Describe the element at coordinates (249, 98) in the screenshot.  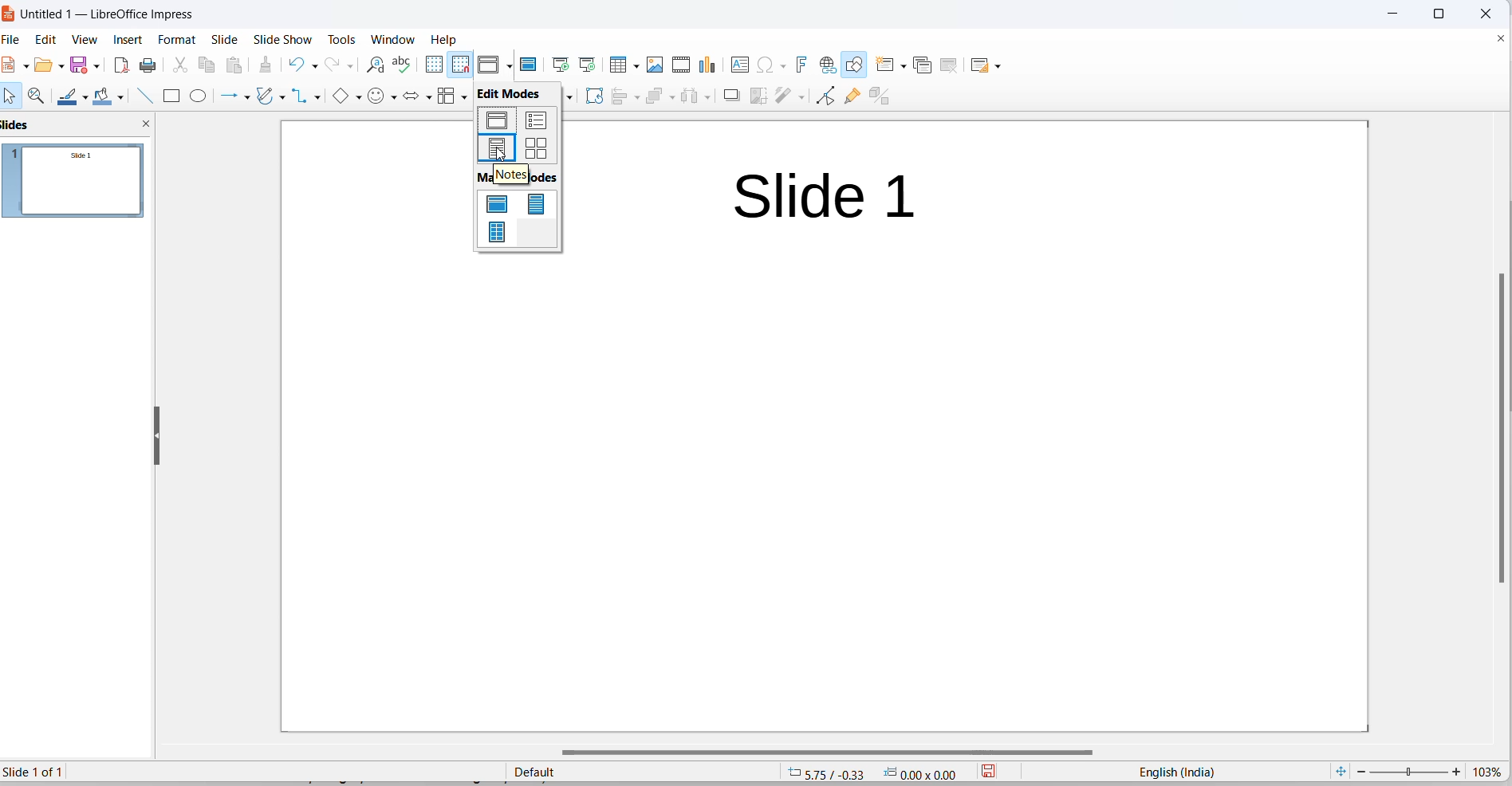
I see `line and arrows options` at that location.